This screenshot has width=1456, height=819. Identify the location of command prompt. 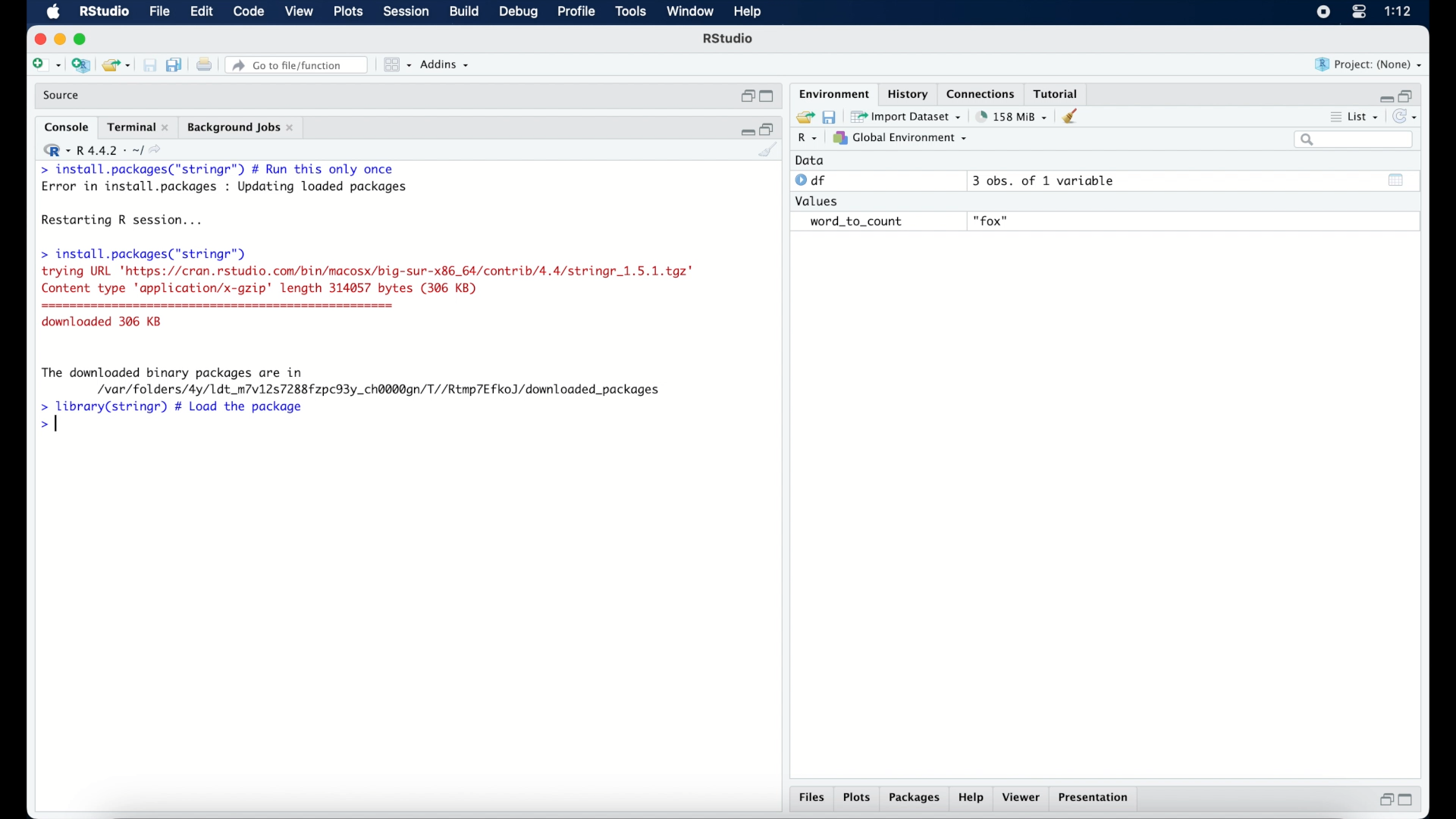
(49, 425).